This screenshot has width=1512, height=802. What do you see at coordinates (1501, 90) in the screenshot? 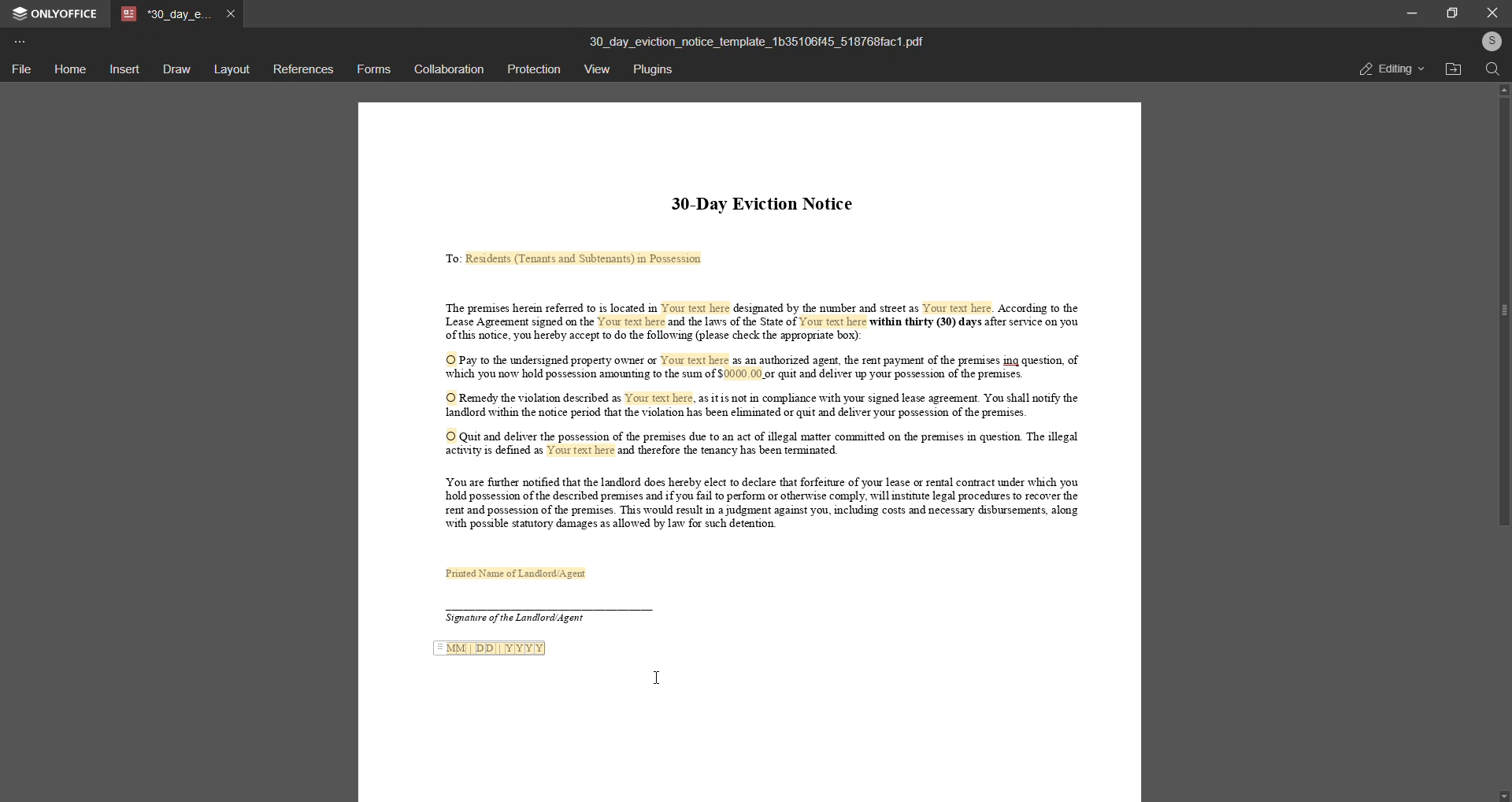
I see `scroll up` at bounding box center [1501, 90].